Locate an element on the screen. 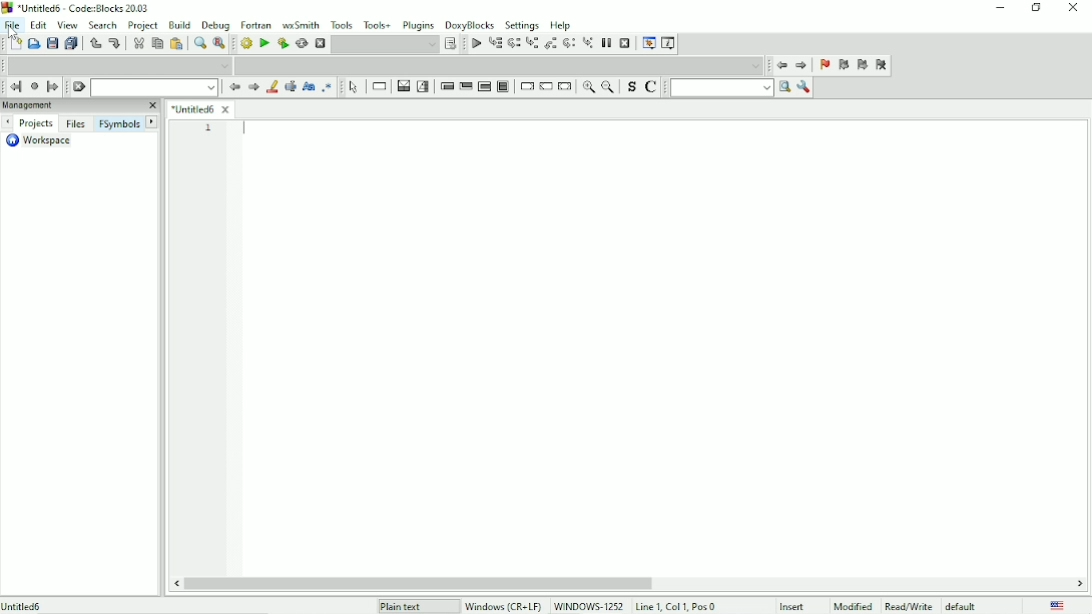 This screenshot has width=1092, height=614. default is located at coordinates (963, 605).